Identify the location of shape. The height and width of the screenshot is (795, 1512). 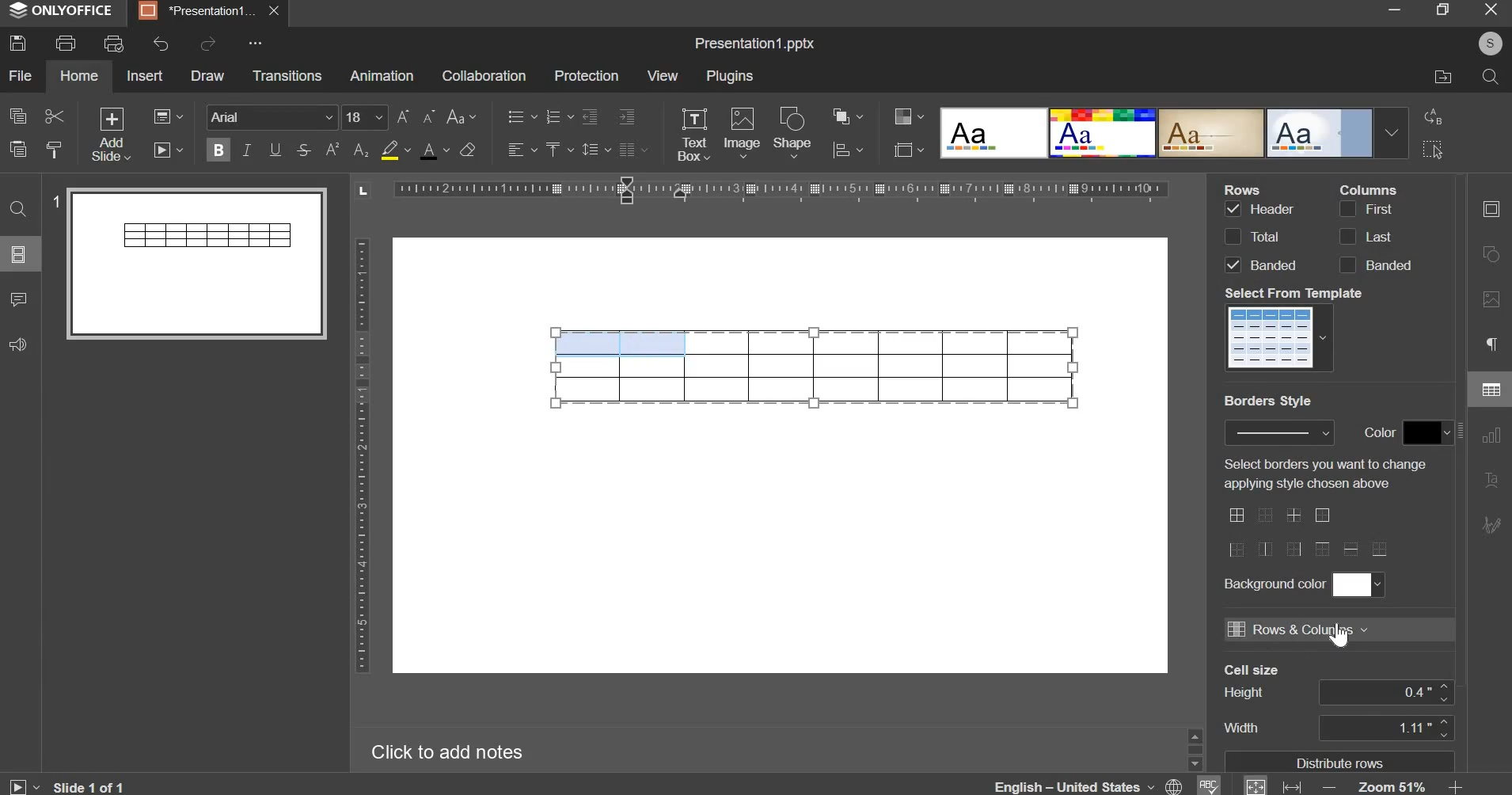
(794, 132).